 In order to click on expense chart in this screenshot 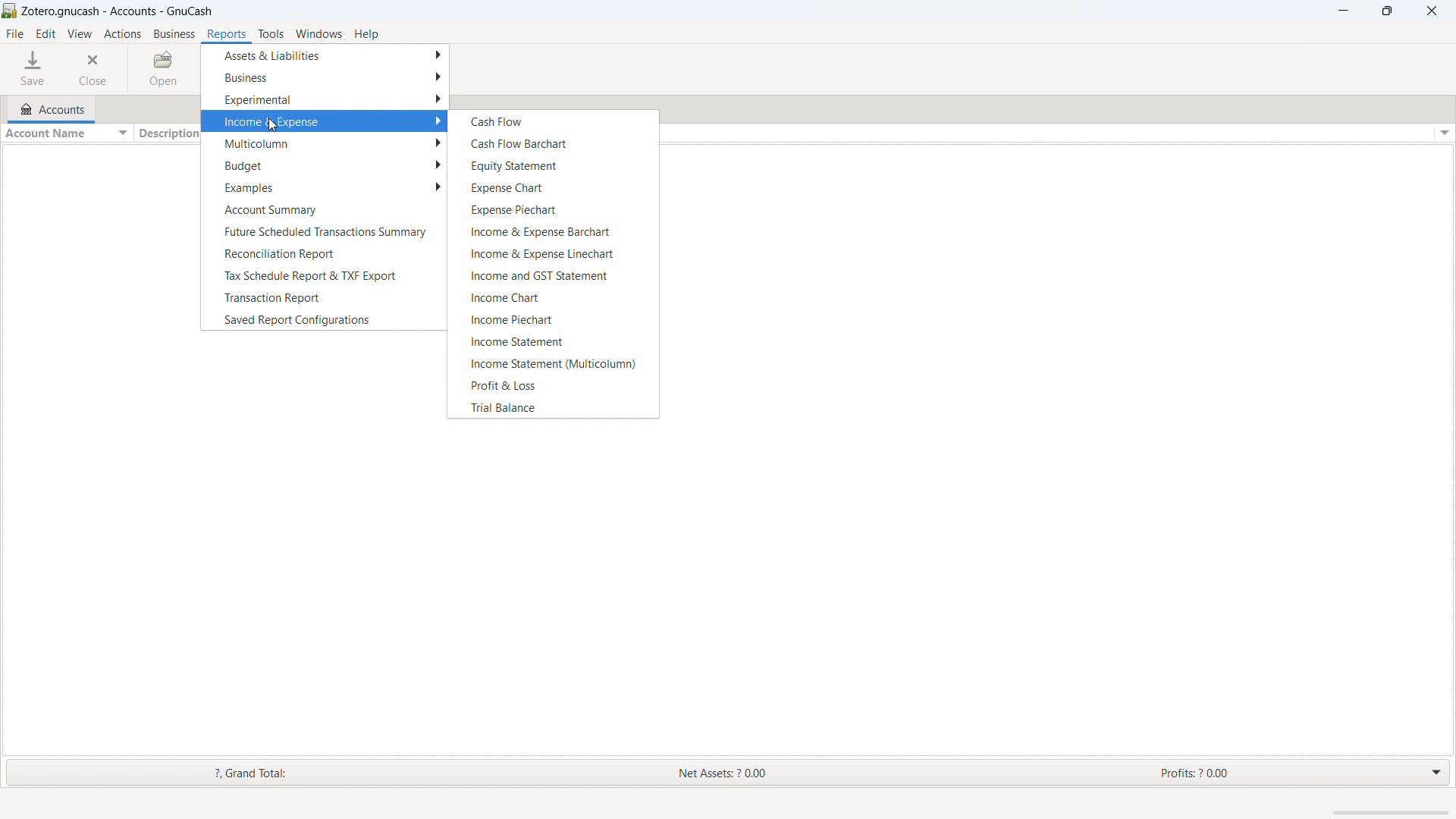, I will do `click(554, 186)`.